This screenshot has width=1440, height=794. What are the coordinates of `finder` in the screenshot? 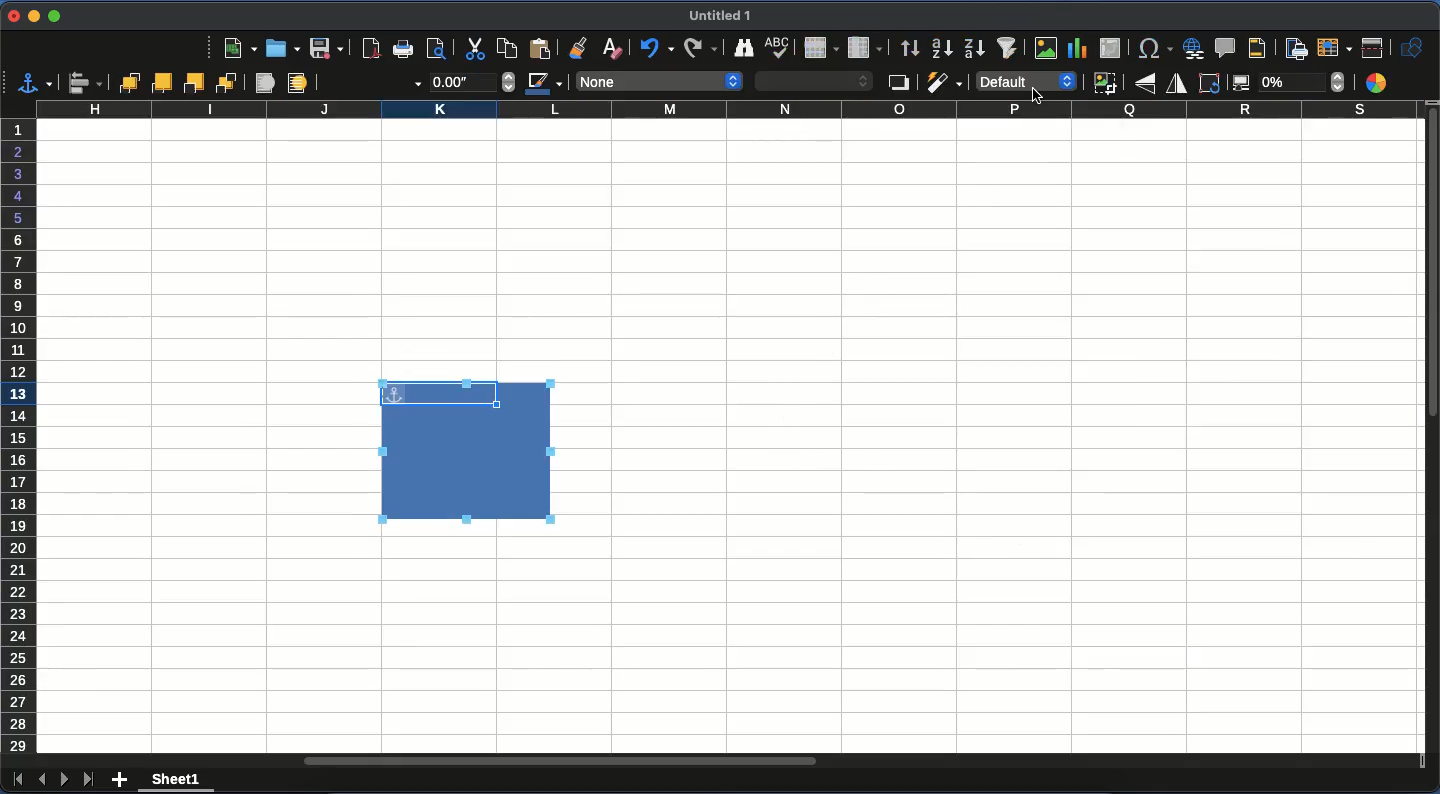 It's located at (742, 47).